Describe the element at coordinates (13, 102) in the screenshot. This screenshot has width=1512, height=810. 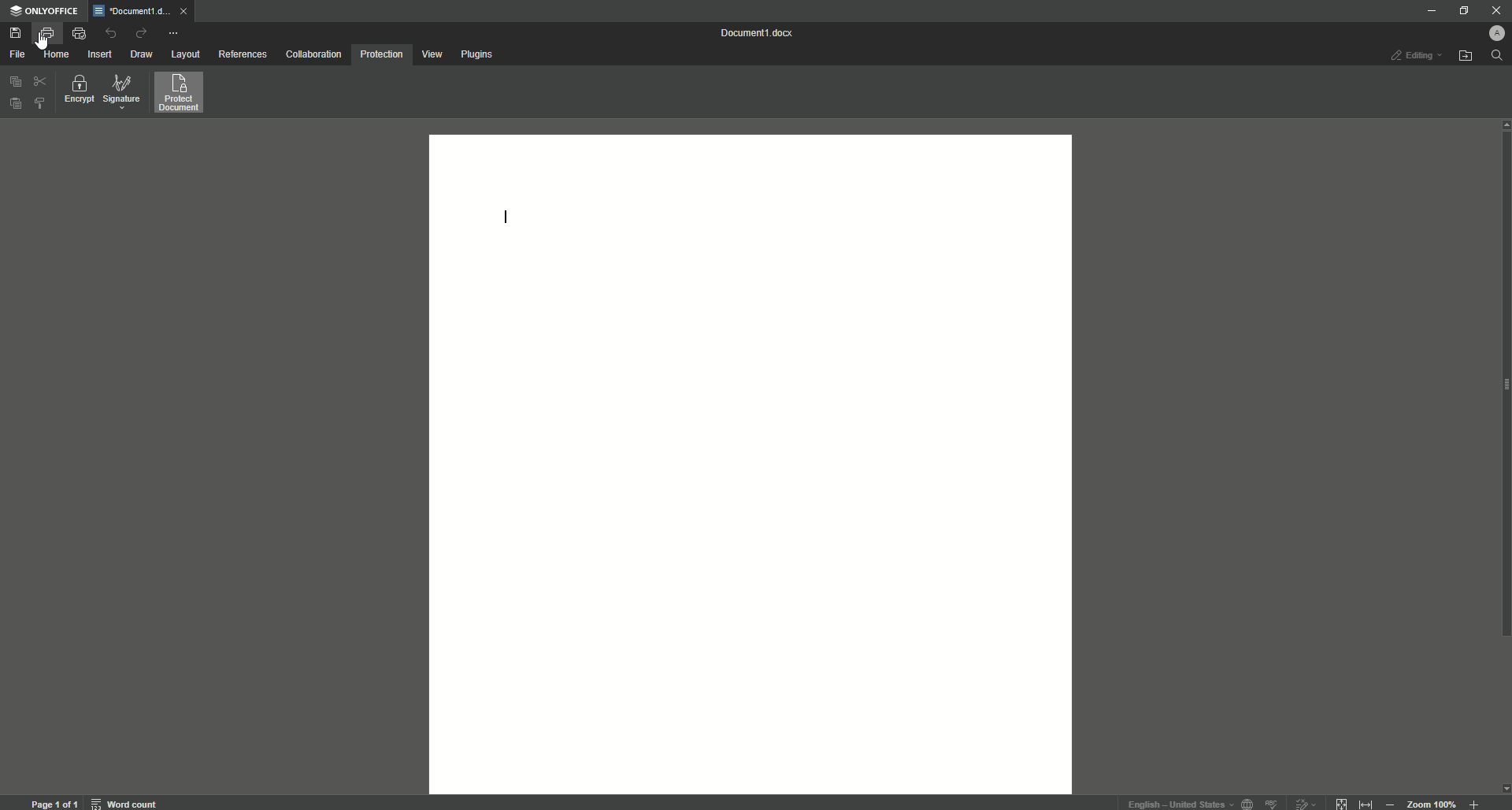
I see `Paste` at that location.